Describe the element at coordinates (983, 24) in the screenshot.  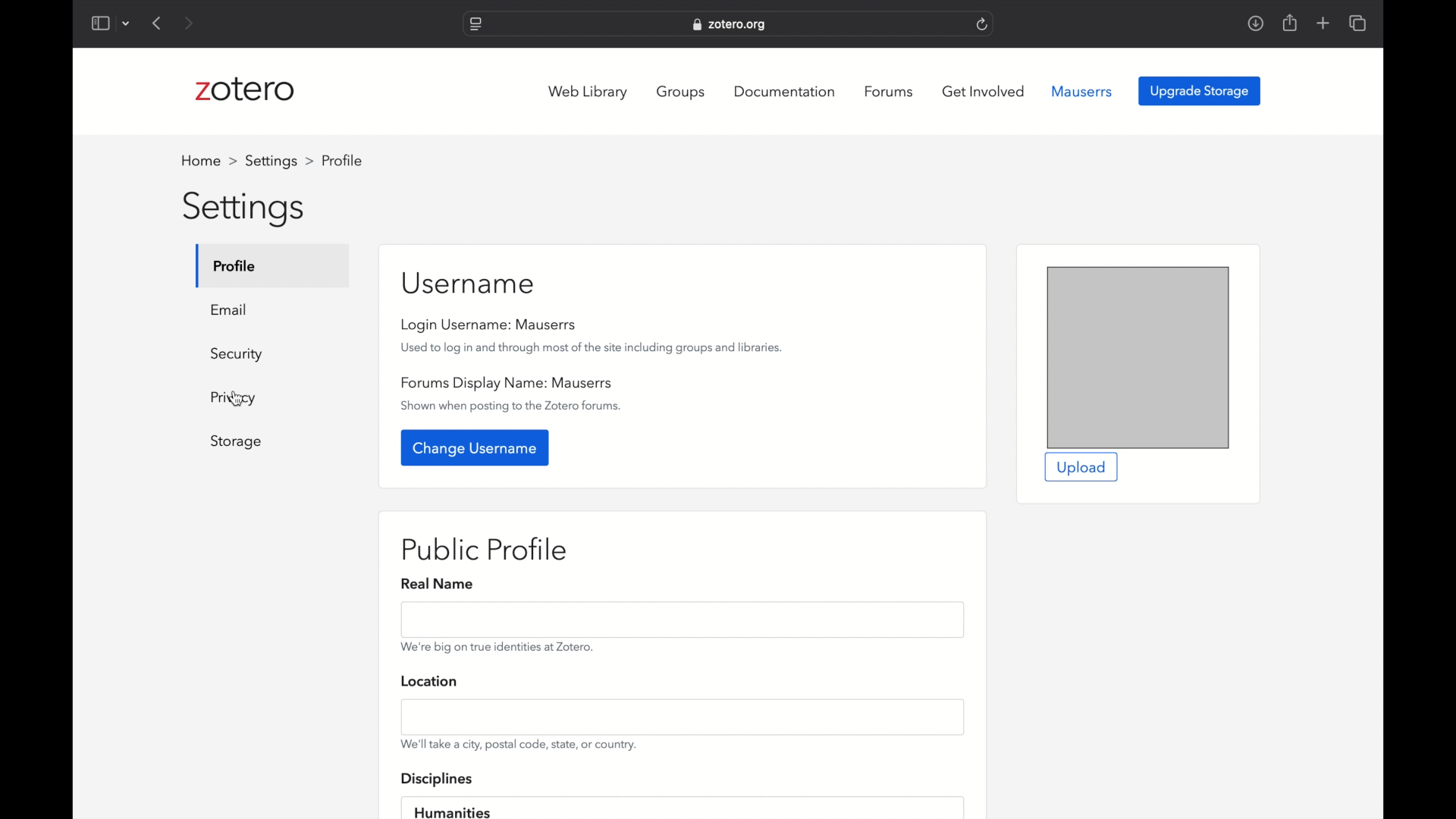
I see `refresh` at that location.